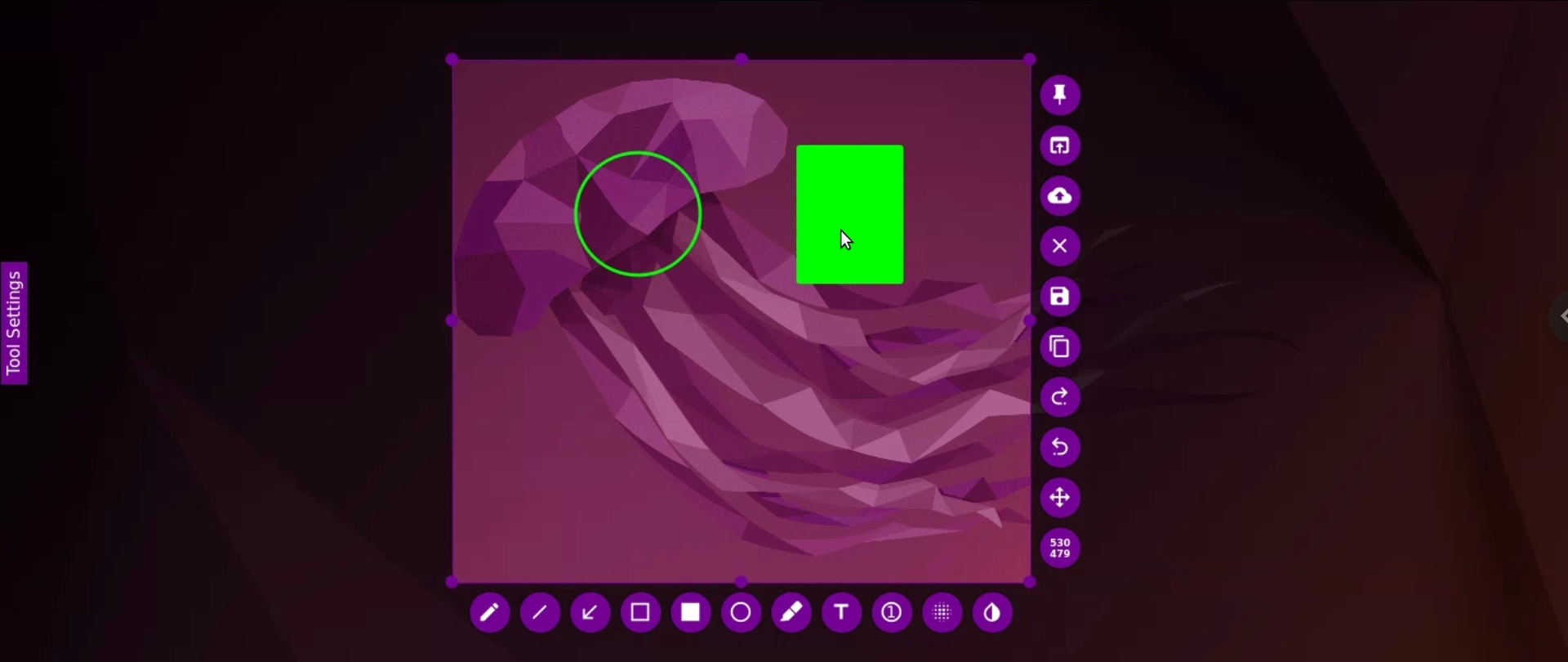 Image resolution: width=1568 pixels, height=662 pixels. I want to click on cursor, so click(849, 239).